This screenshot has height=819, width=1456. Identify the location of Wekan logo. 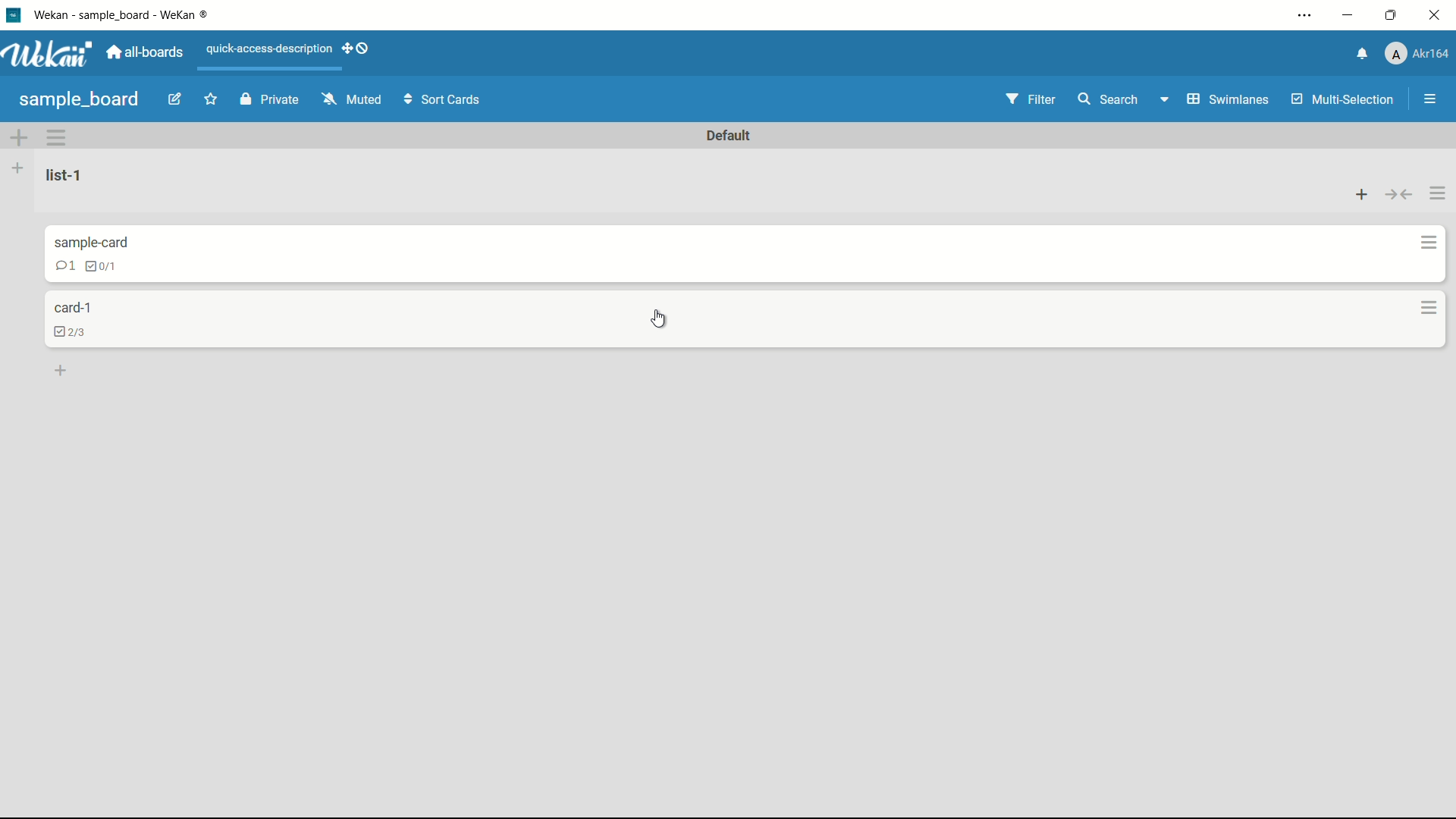
(47, 54).